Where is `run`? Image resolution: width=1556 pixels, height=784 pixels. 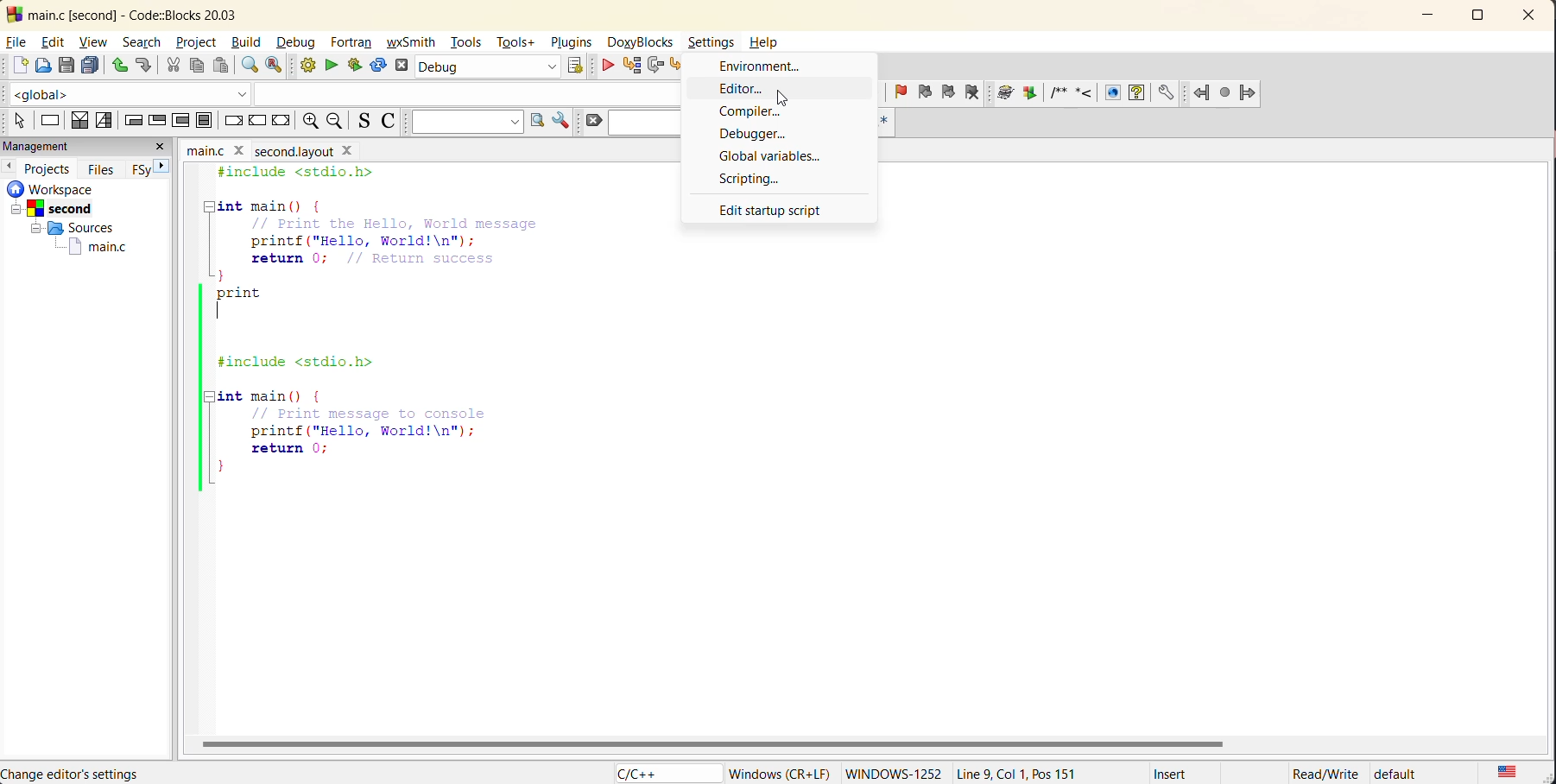
run is located at coordinates (331, 65).